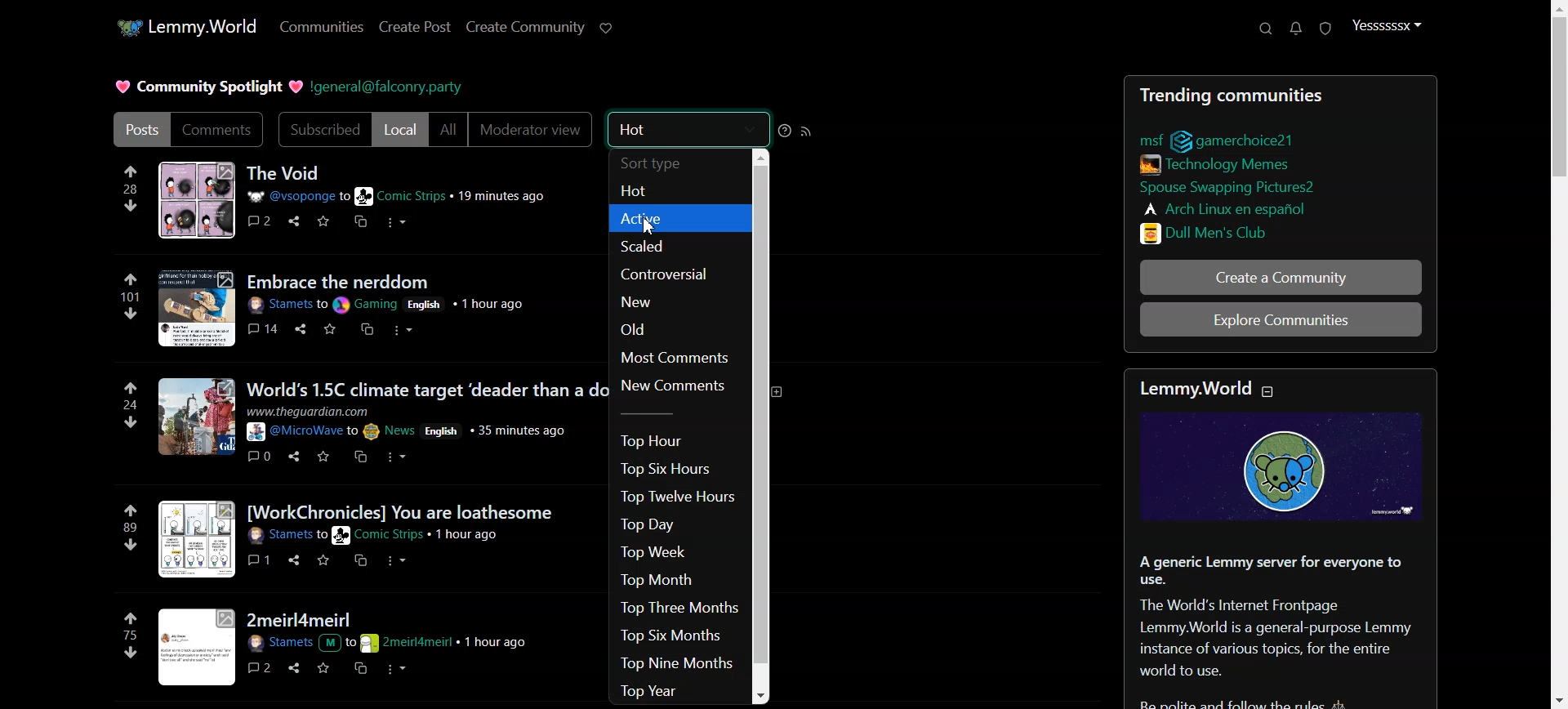 The image size is (1568, 709). Describe the element at coordinates (675, 497) in the screenshot. I see `Top Twelve Hours` at that location.